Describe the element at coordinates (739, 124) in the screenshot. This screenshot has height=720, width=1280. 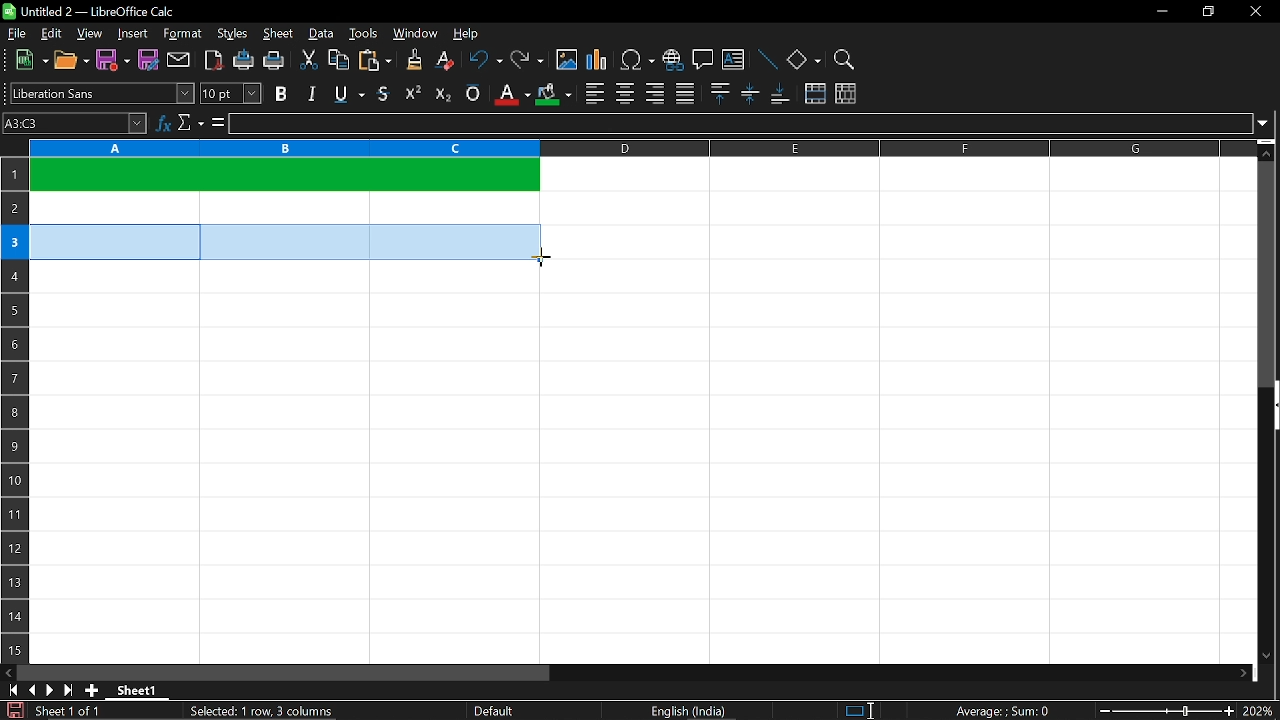
I see `input line` at that location.